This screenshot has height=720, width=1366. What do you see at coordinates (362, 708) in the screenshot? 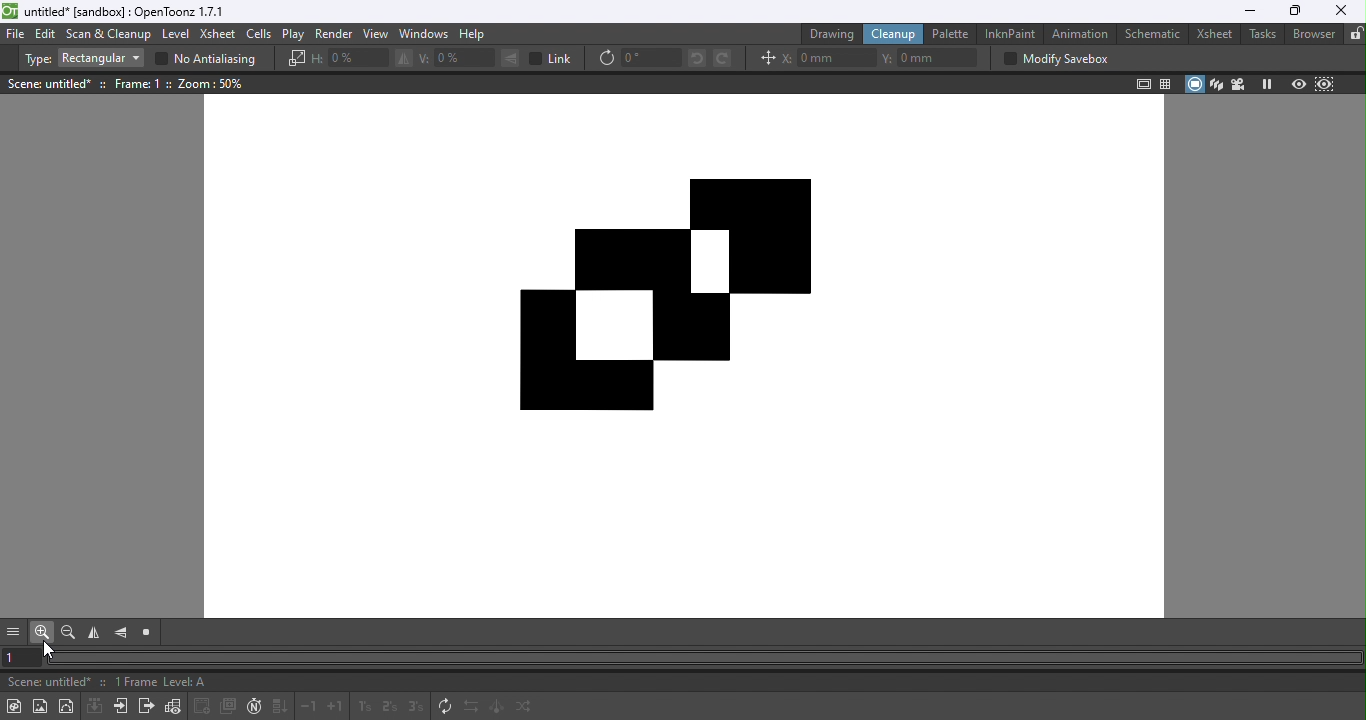
I see `Reframe on 1's` at bounding box center [362, 708].